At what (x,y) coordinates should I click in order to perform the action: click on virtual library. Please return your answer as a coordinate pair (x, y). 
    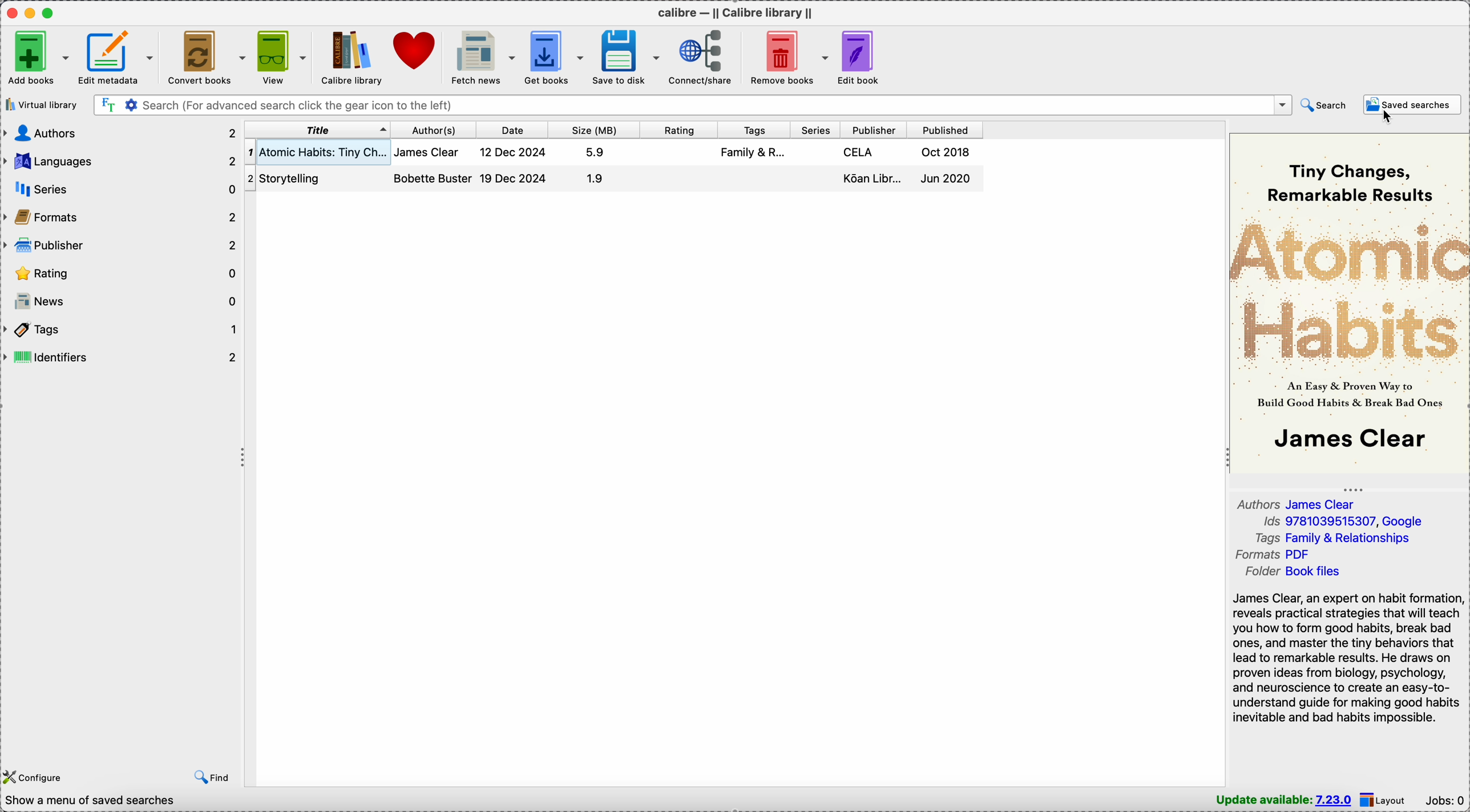
    Looking at the image, I should click on (42, 106).